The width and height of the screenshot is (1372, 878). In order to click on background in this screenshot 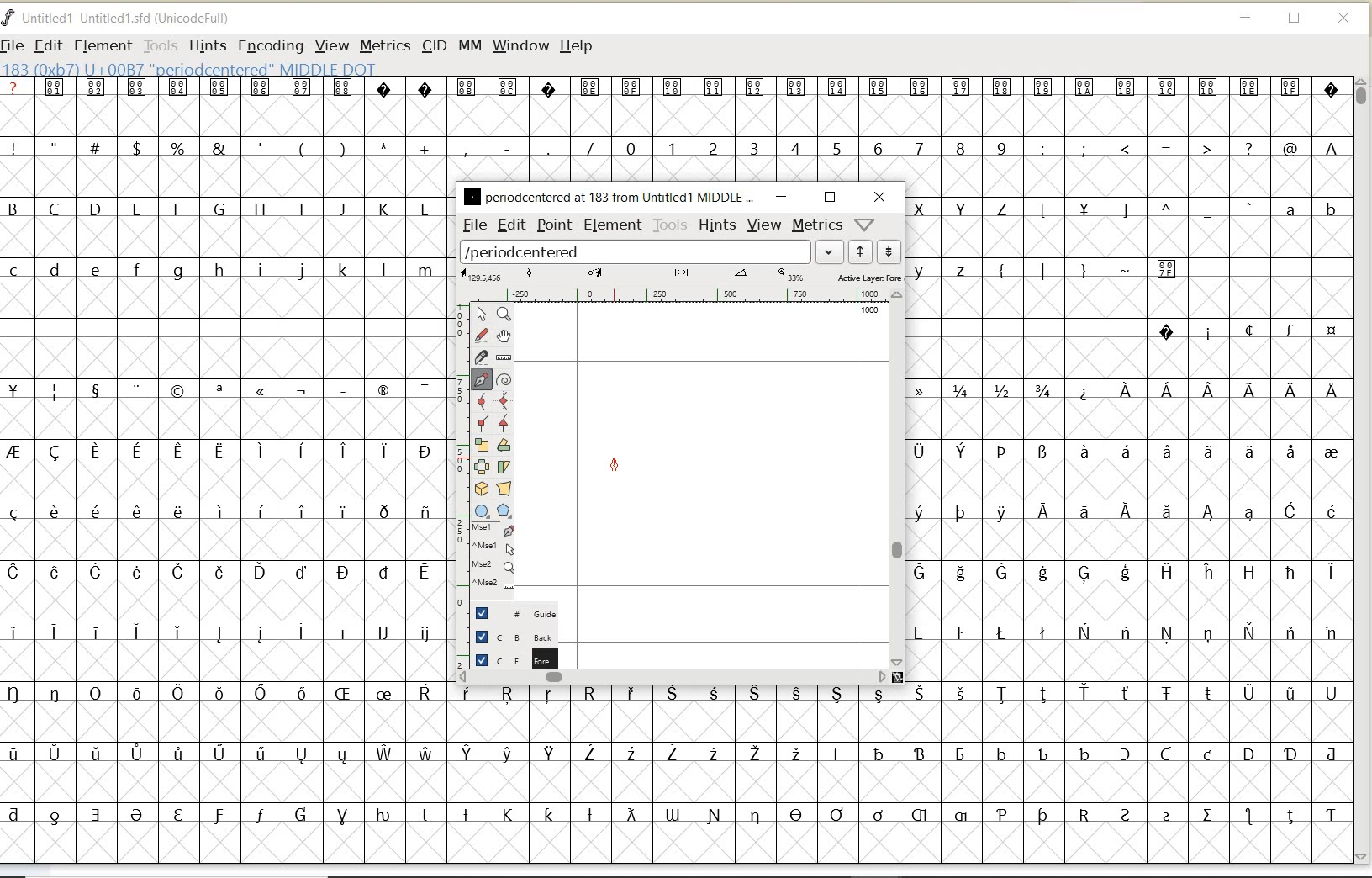, I will do `click(509, 637)`.